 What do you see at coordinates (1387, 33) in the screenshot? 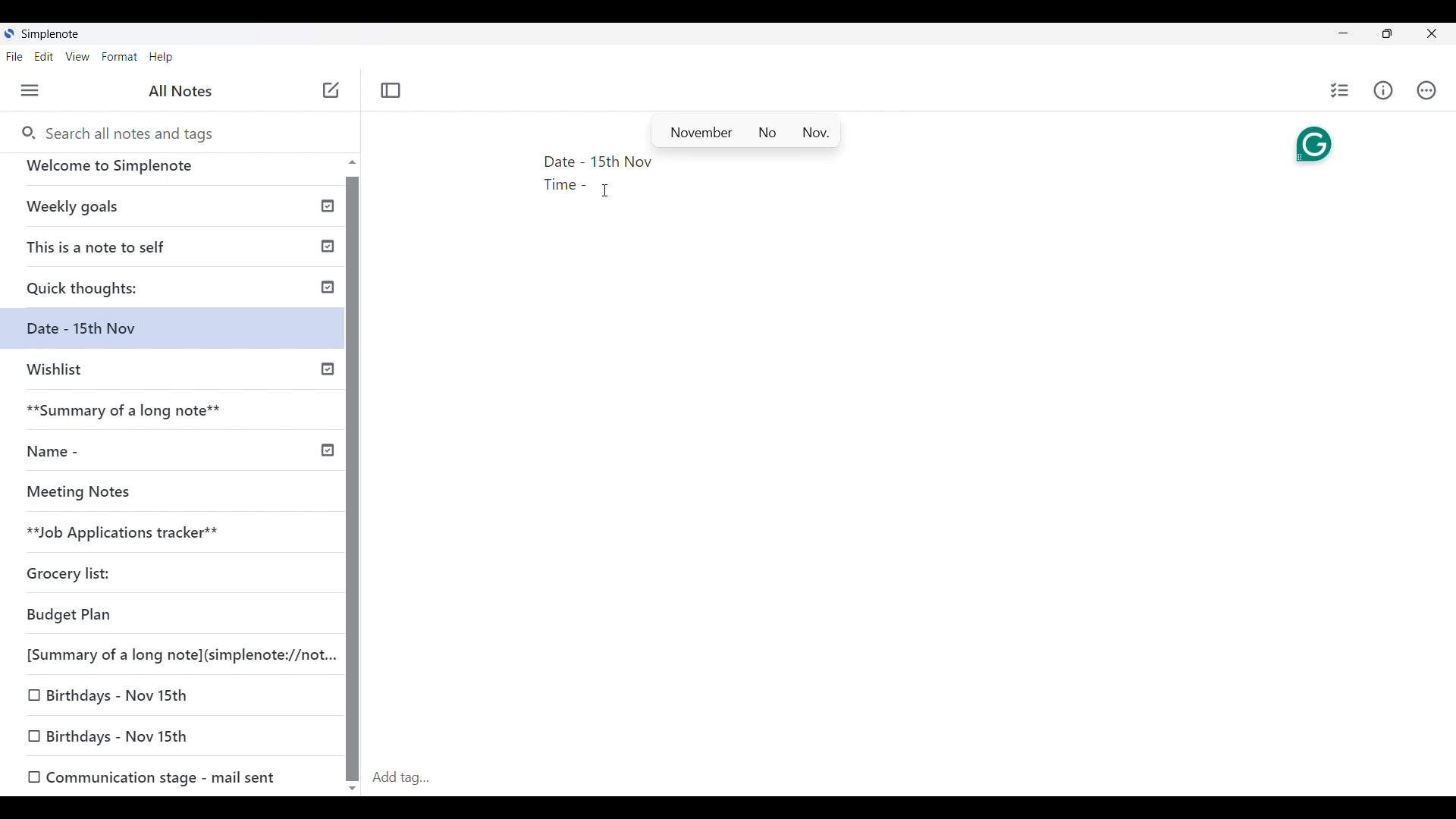
I see `Show interface in a smaller tab` at bounding box center [1387, 33].